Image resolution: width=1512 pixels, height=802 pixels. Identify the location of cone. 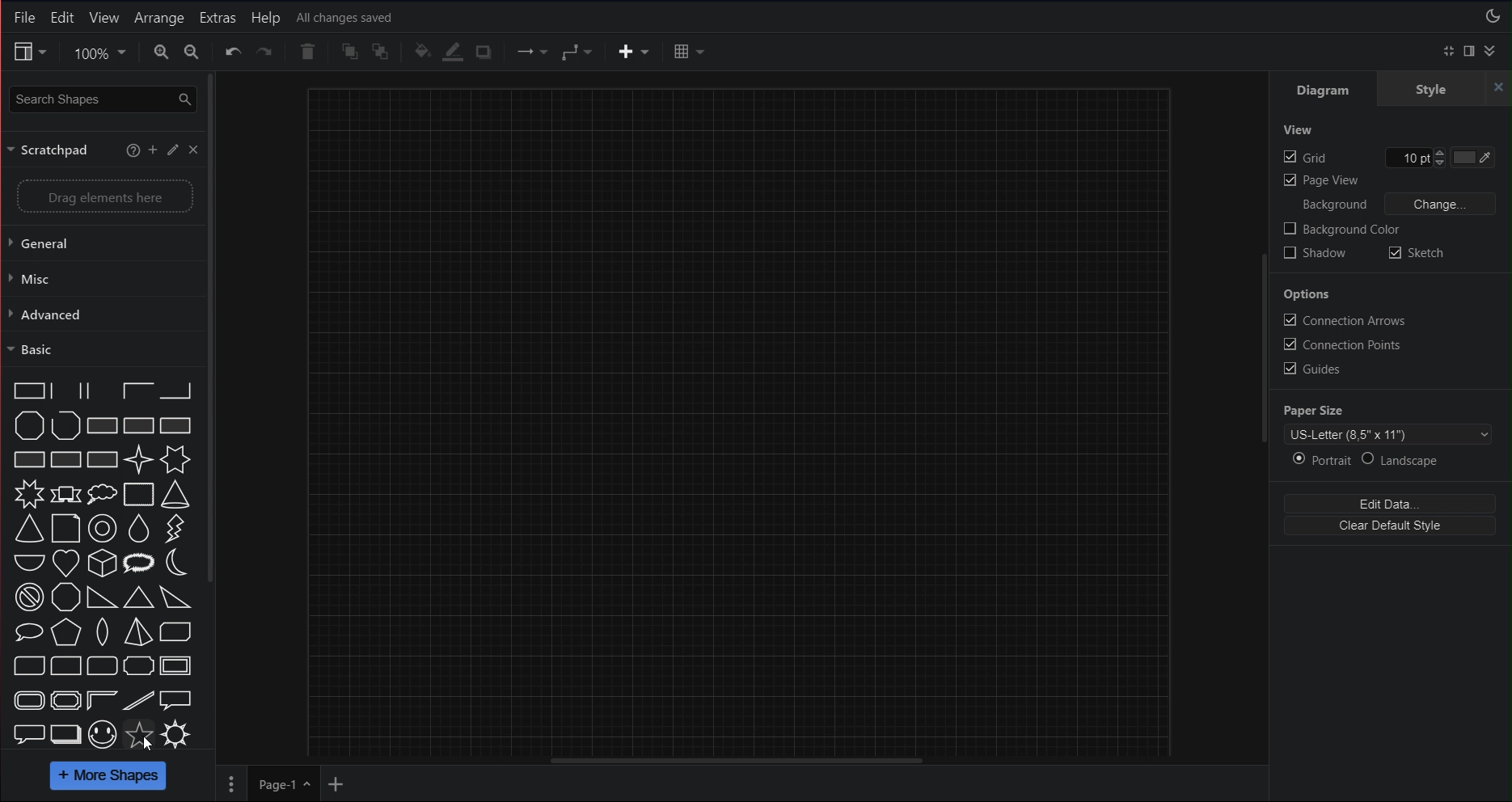
(176, 495).